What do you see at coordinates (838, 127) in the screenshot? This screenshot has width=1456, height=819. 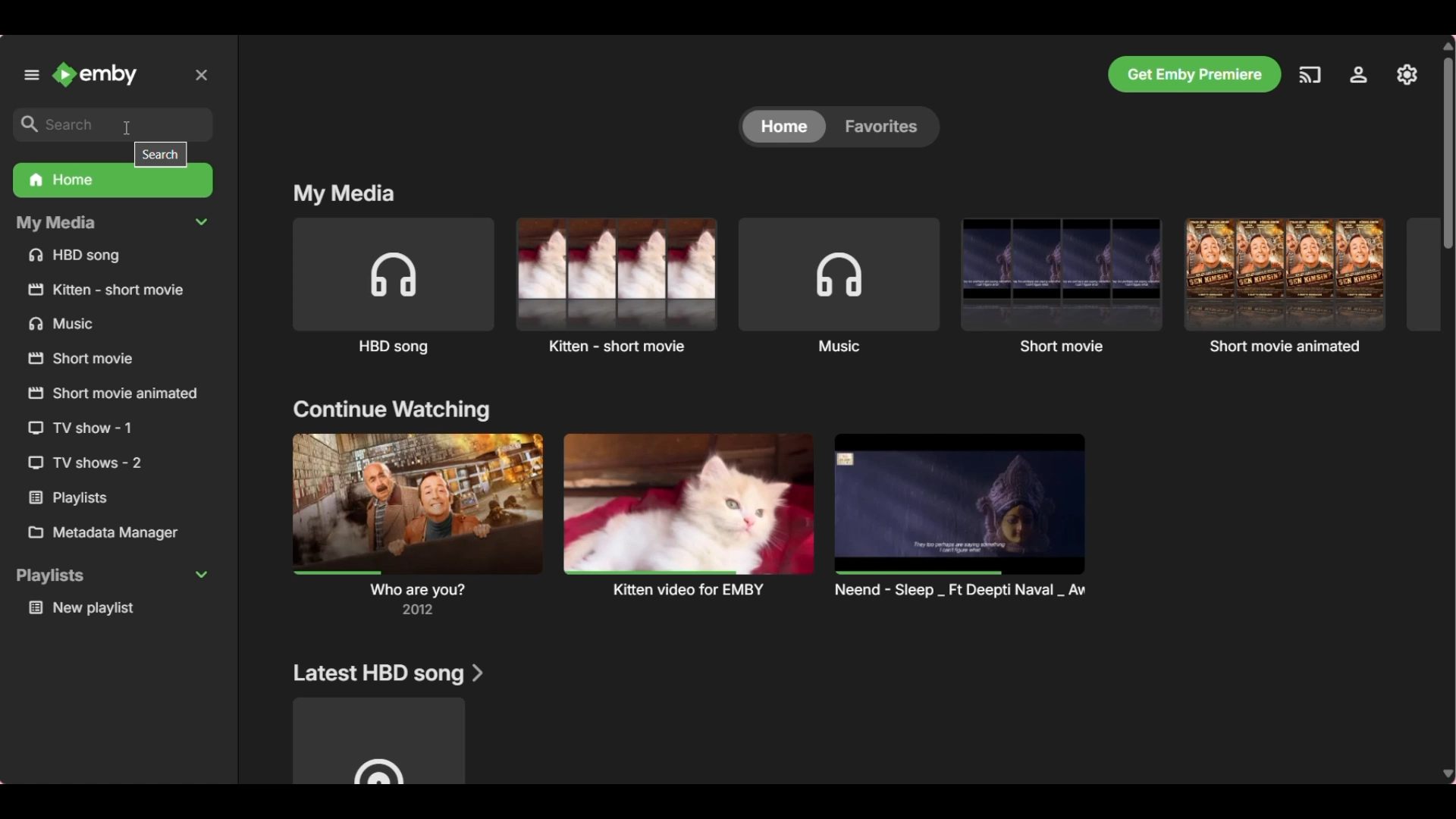 I see `Toggle between Home and Favorites` at bounding box center [838, 127].